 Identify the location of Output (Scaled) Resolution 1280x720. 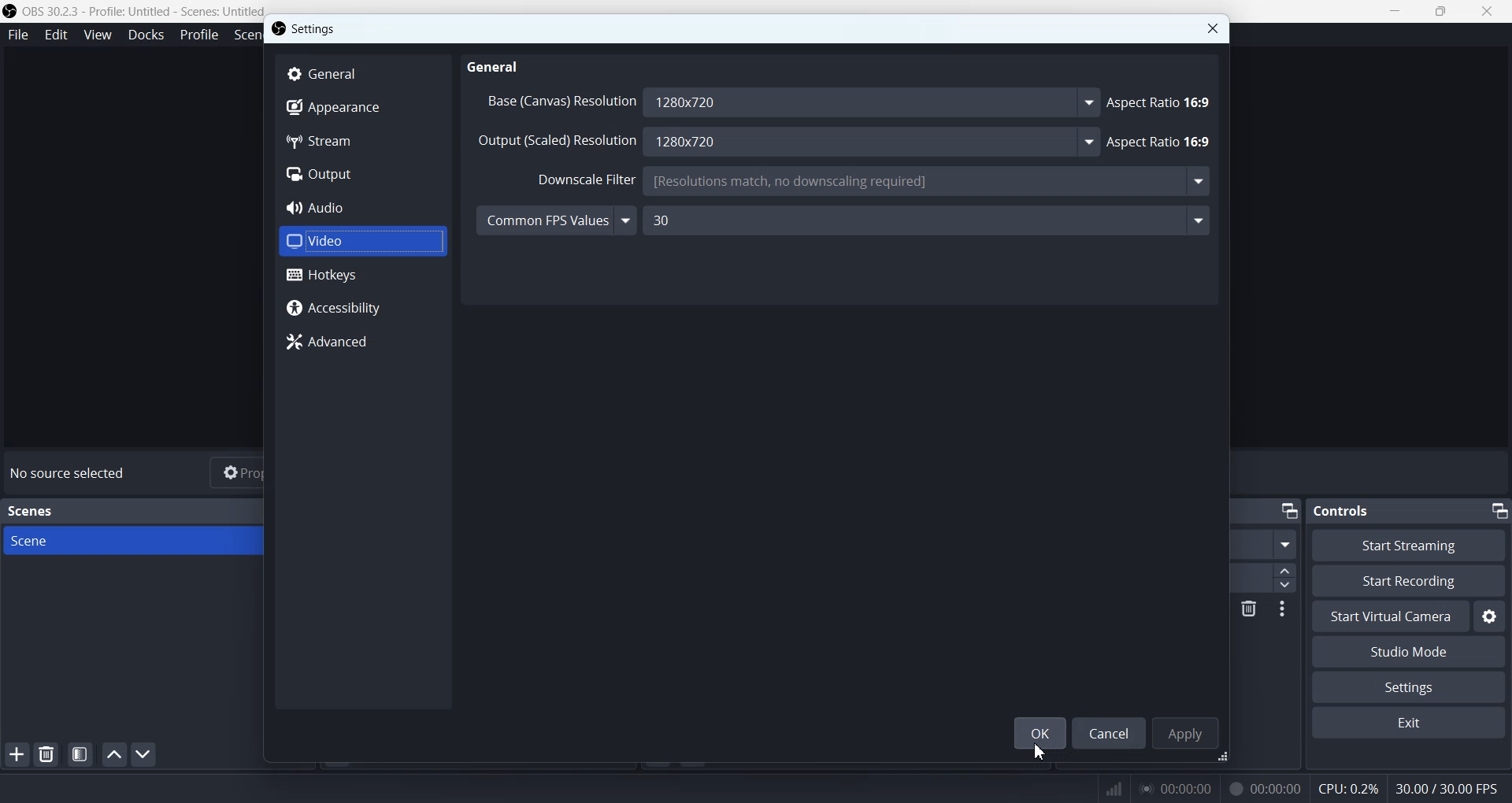
(785, 141).